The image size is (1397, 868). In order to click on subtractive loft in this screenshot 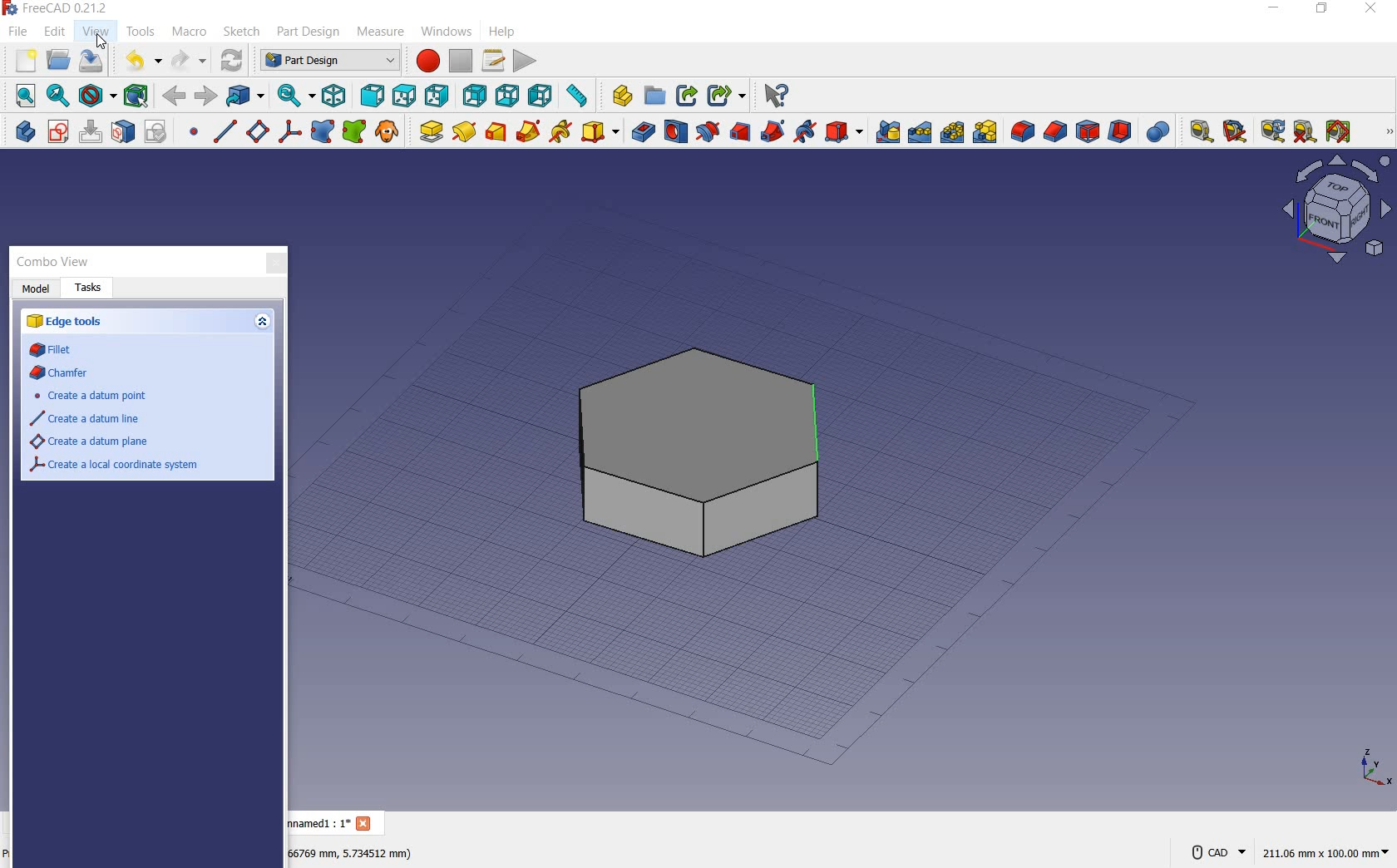, I will do `click(742, 134)`.